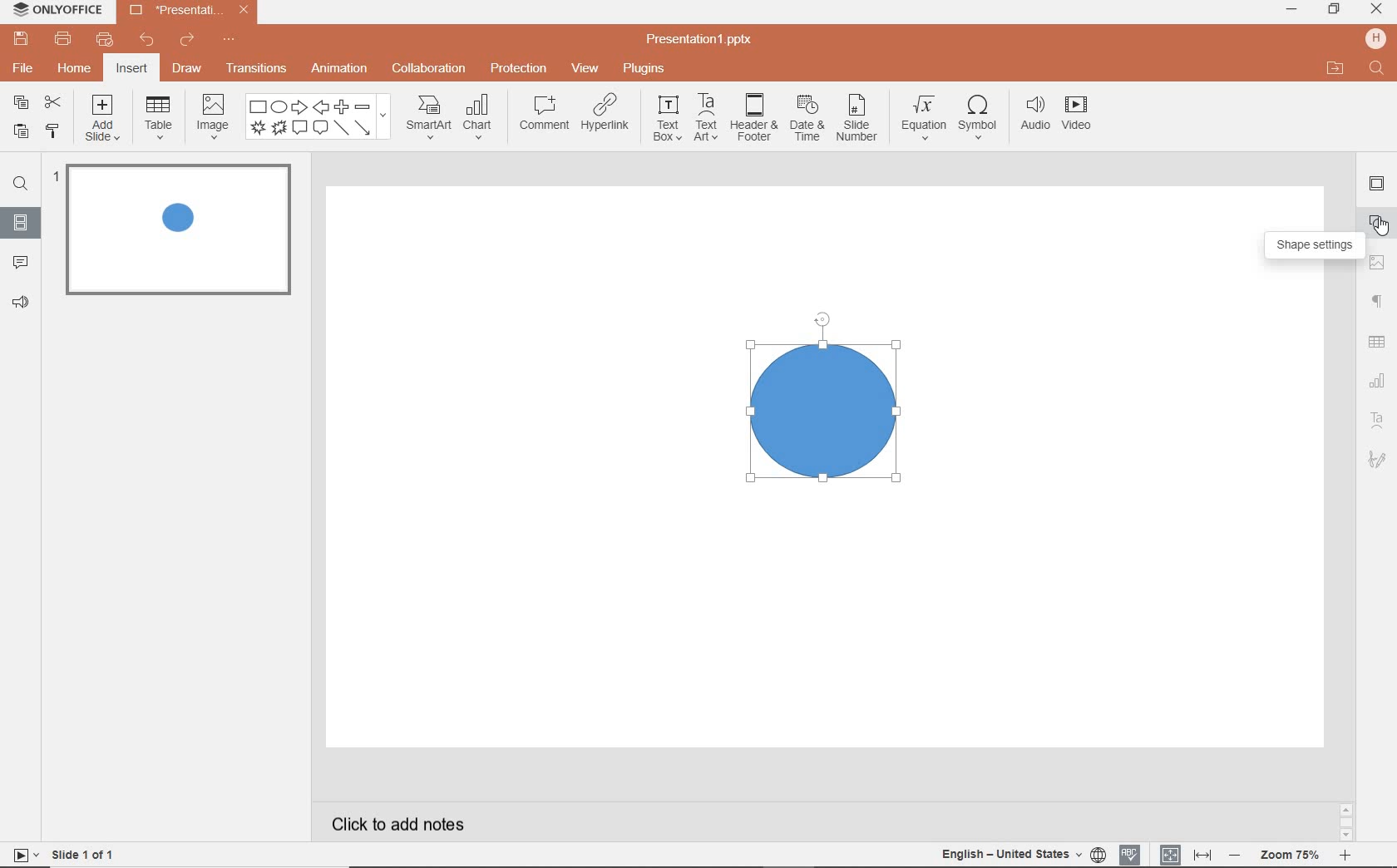 The image size is (1397, 868). What do you see at coordinates (1374, 38) in the screenshot?
I see `hp` at bounding box center [1374, 38].